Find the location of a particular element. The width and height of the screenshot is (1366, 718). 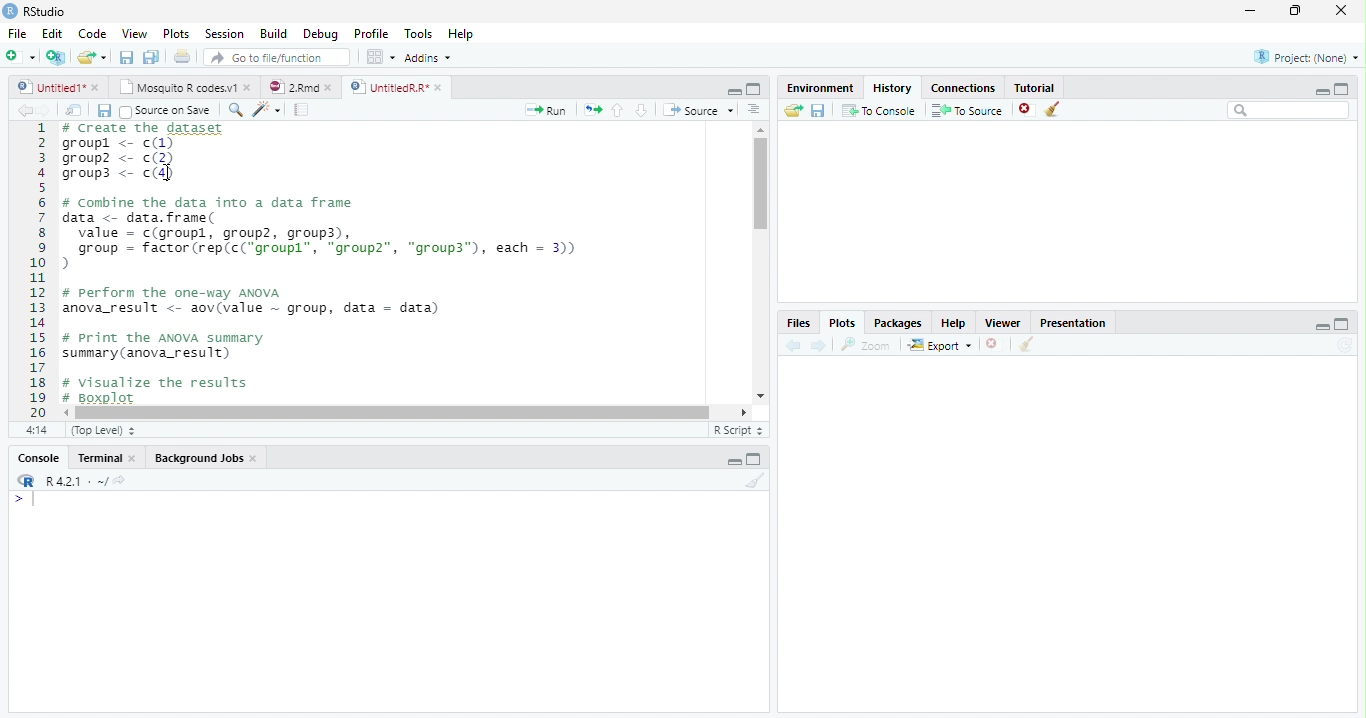

Close is located at coordinates (1339, 12).